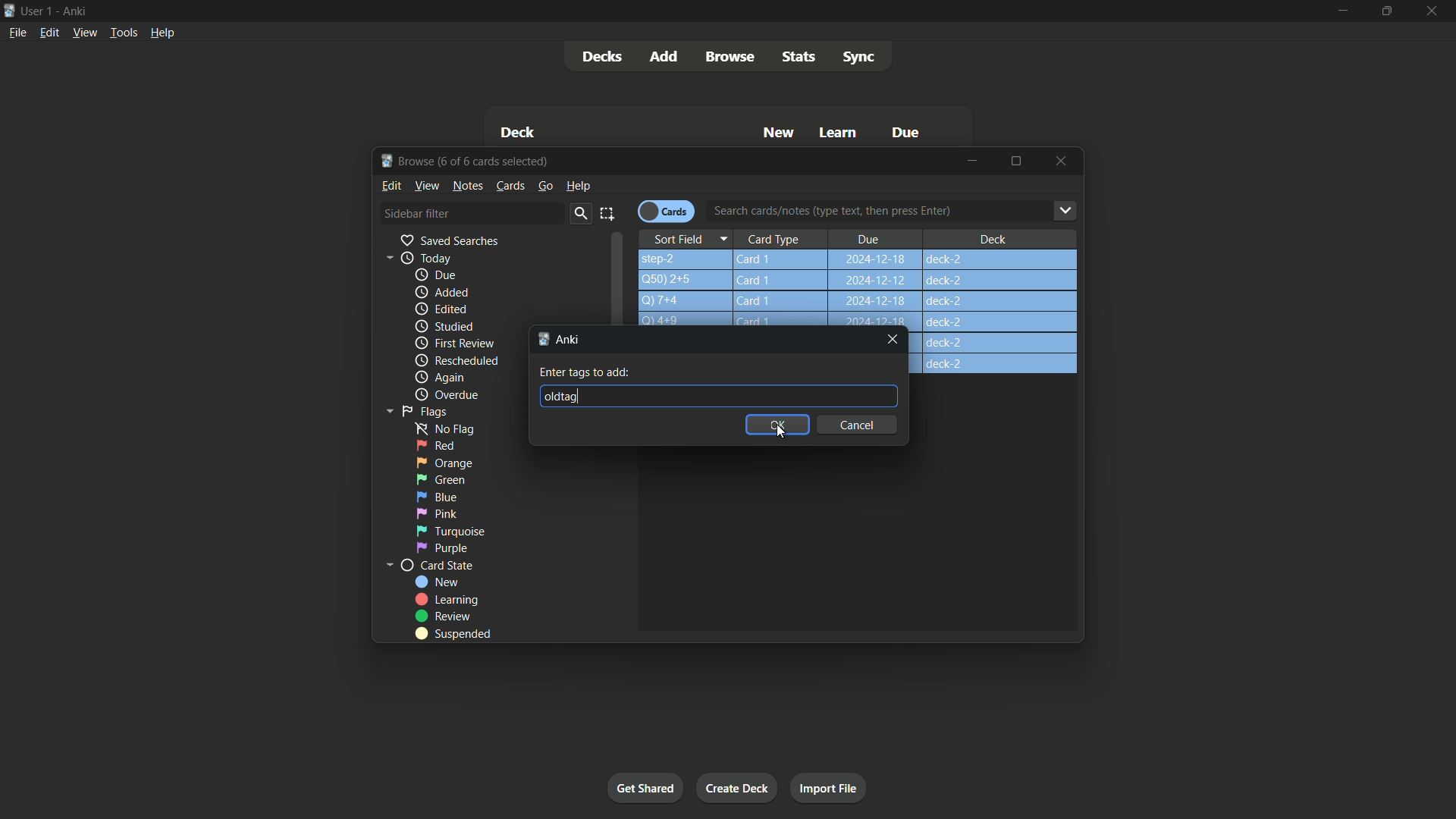  I want to click on Learning, so click(447, 600).